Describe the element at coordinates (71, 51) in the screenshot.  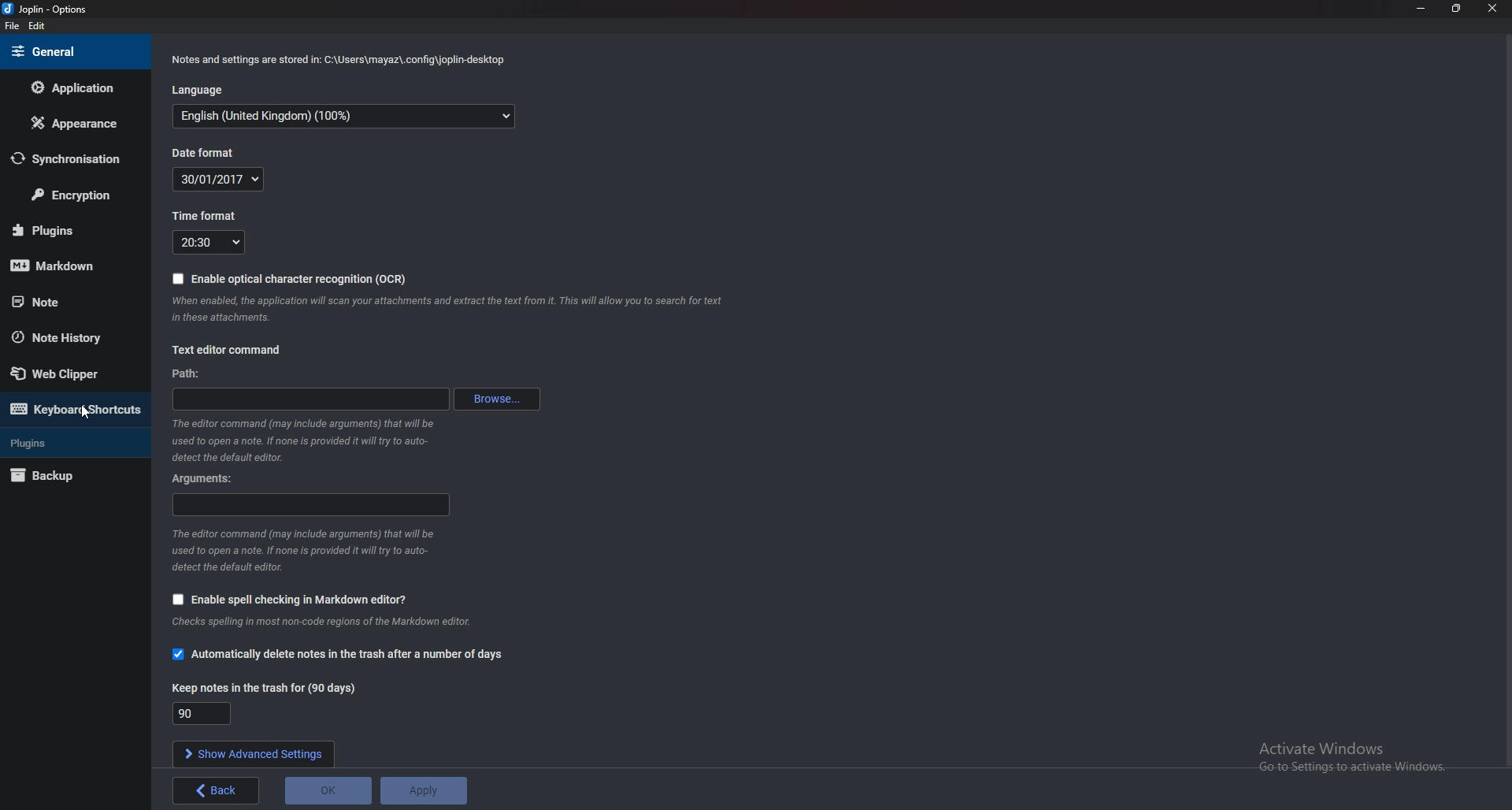
I see `general` at that location.